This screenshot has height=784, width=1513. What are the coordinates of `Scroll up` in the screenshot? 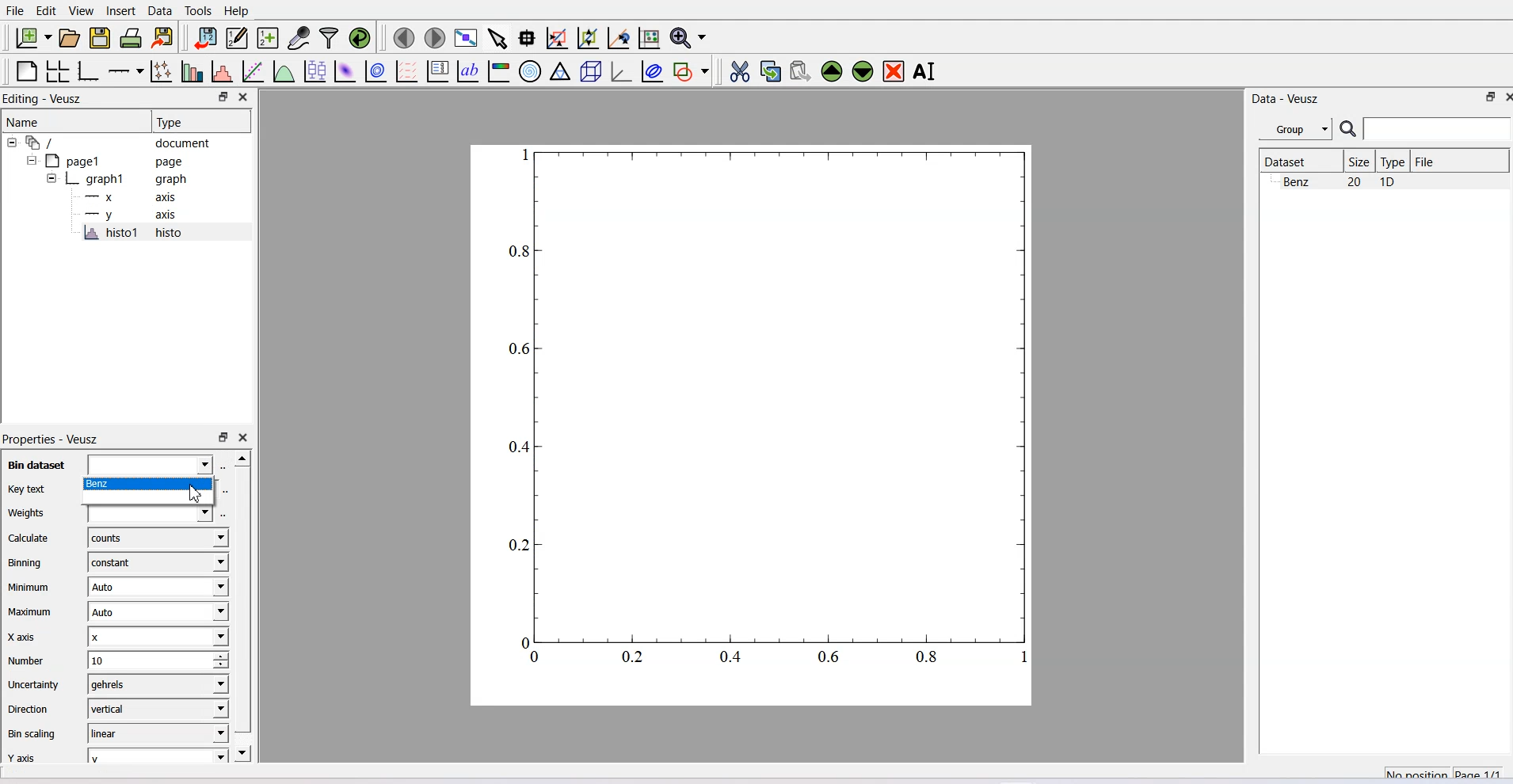 It's located at (242, 458).